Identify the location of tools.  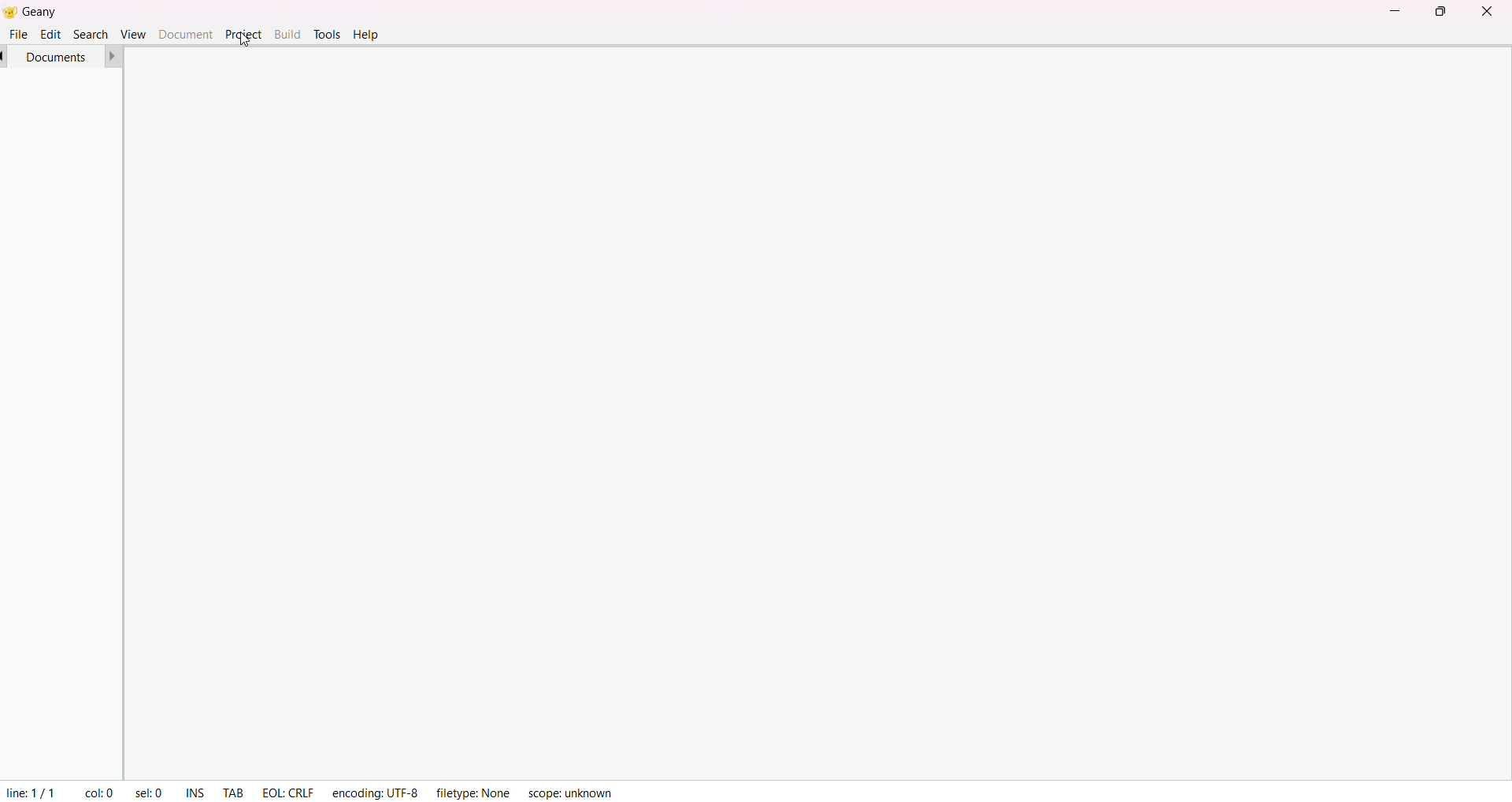
(326, 34).